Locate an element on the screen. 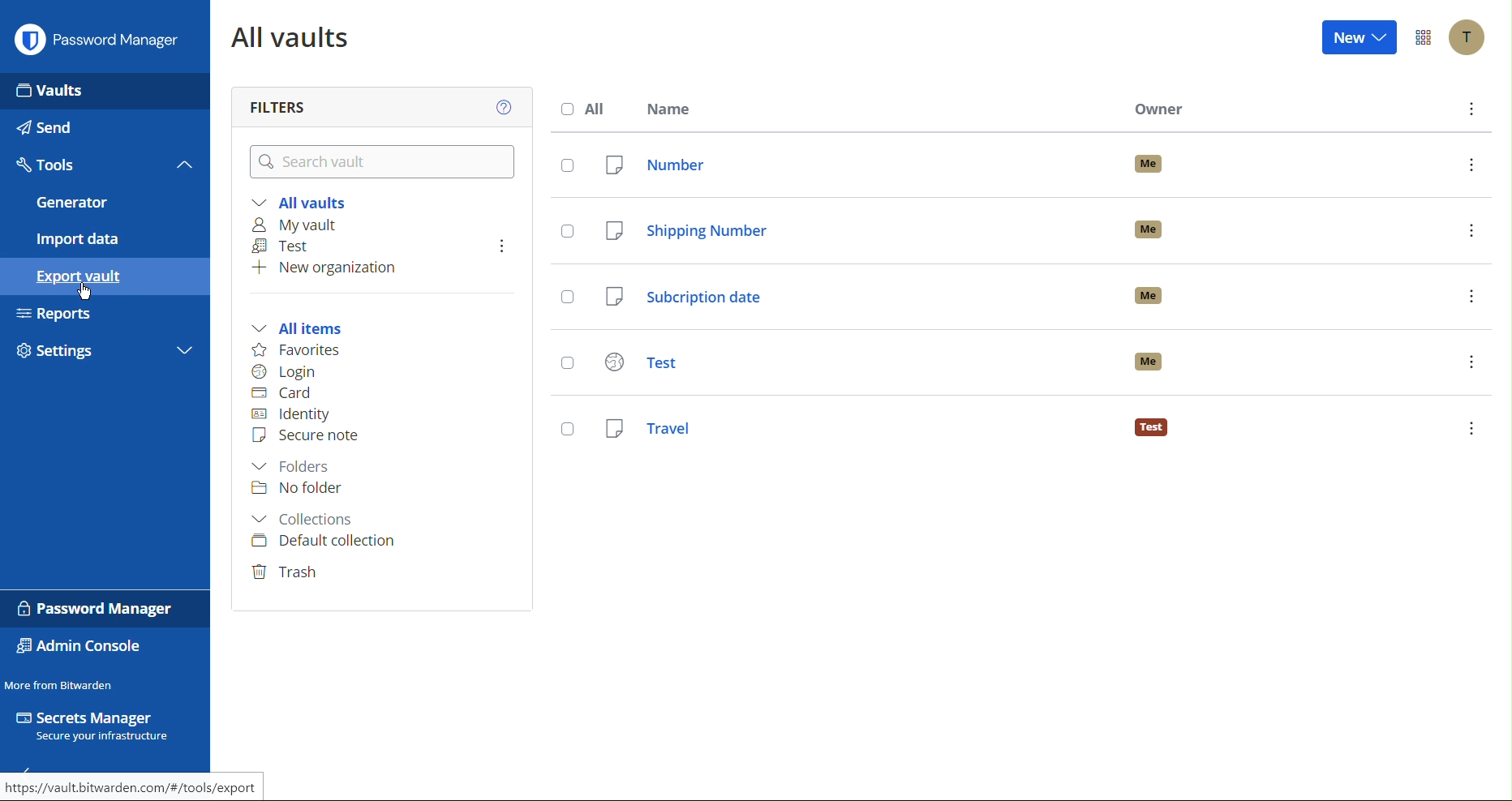 This screenshot has width=1512, height=801. options is located at coordinates (1471, 362).